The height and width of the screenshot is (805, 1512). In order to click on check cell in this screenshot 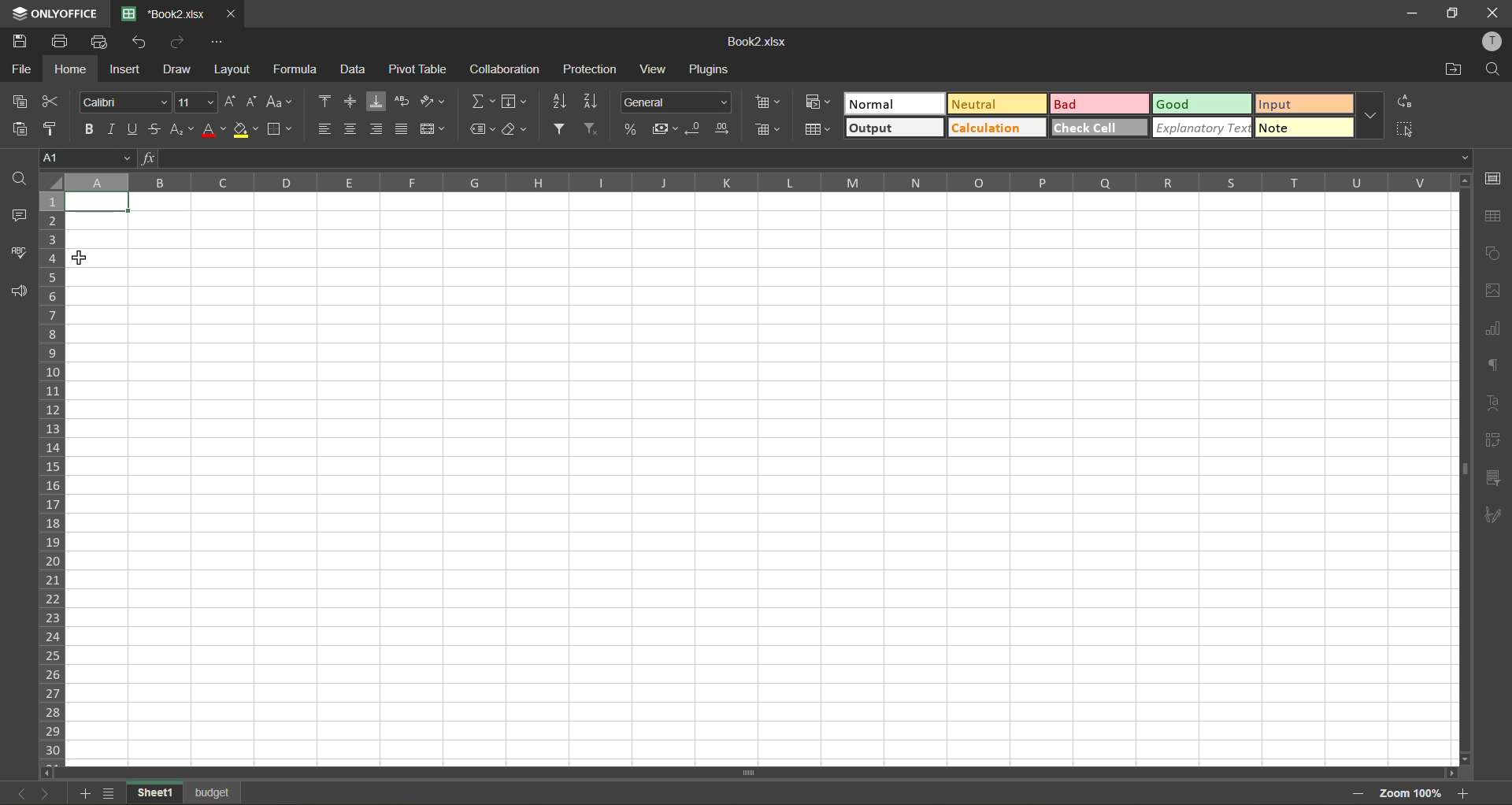, I will do `click(1100, 129)`.